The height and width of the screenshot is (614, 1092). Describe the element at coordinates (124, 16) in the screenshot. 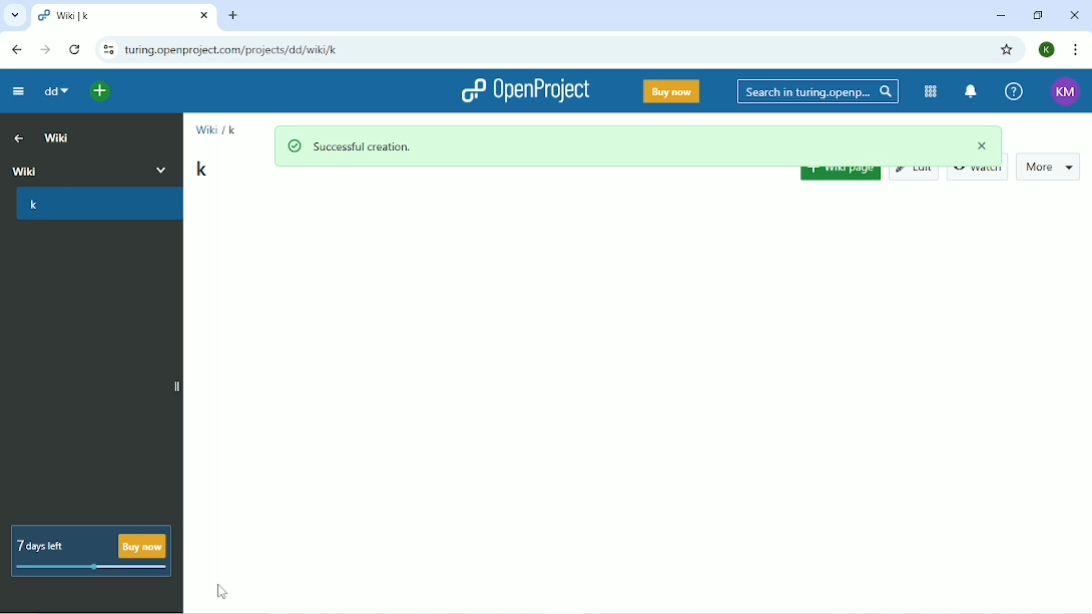

I see `Current tab` at that location.